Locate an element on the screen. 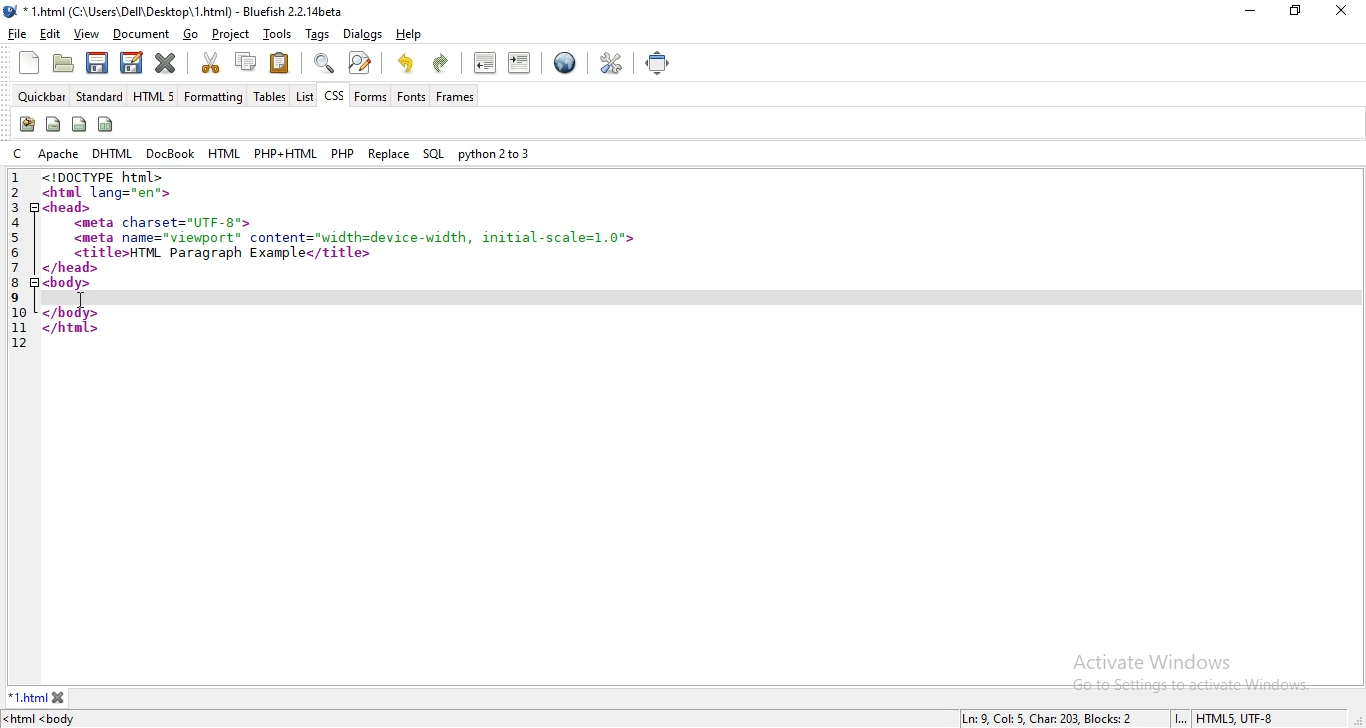  </html> is located at coordinates (70, 329).